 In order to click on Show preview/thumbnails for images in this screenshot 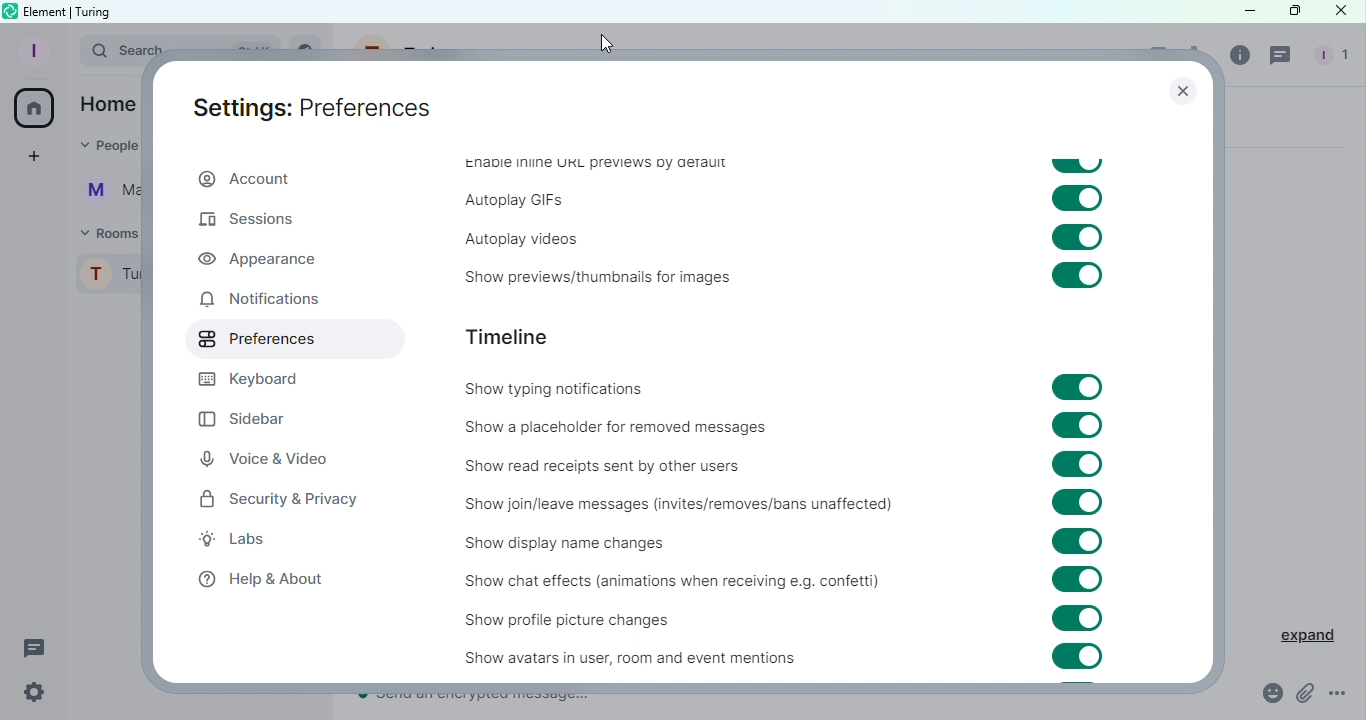, I will do `click(590, 279)`.